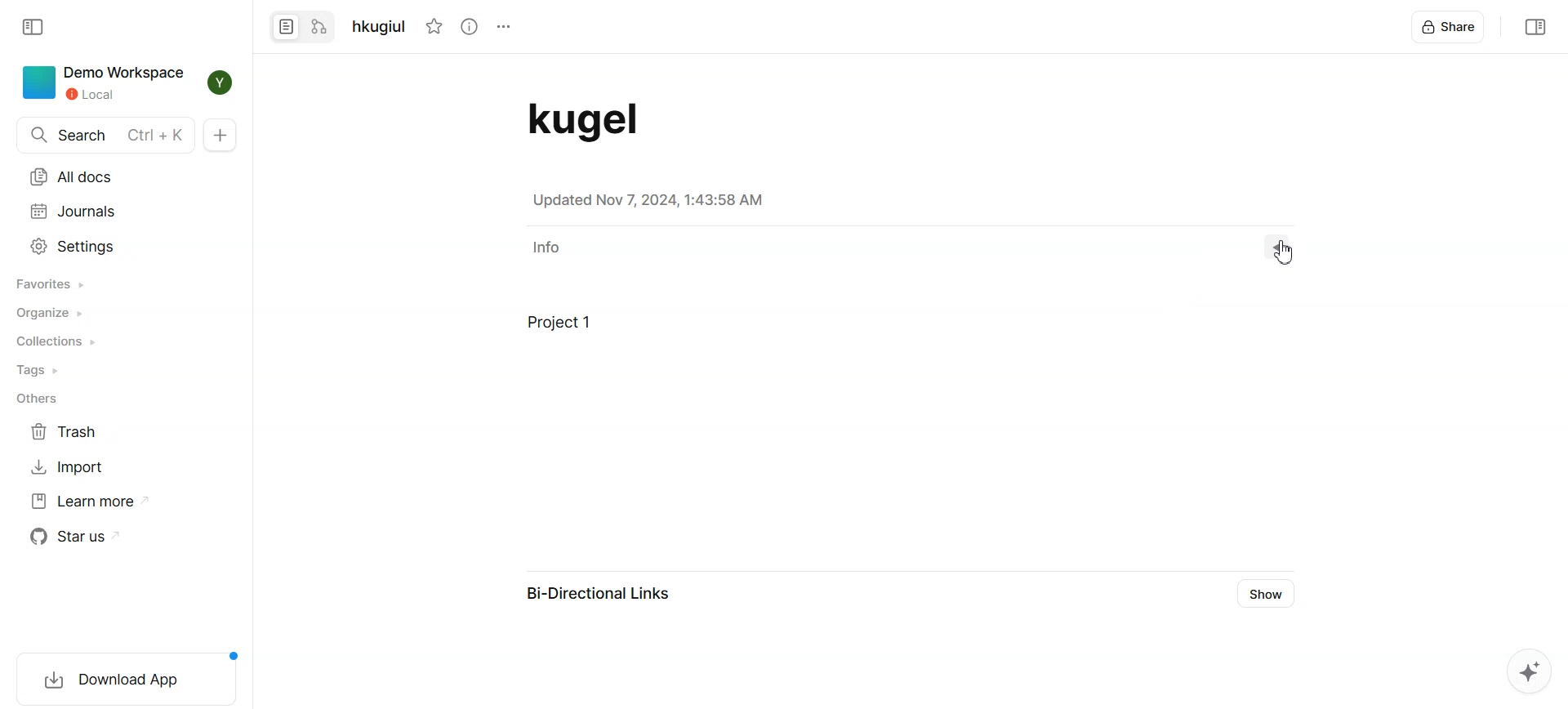  I want to click on Star us, so click(83, 536).